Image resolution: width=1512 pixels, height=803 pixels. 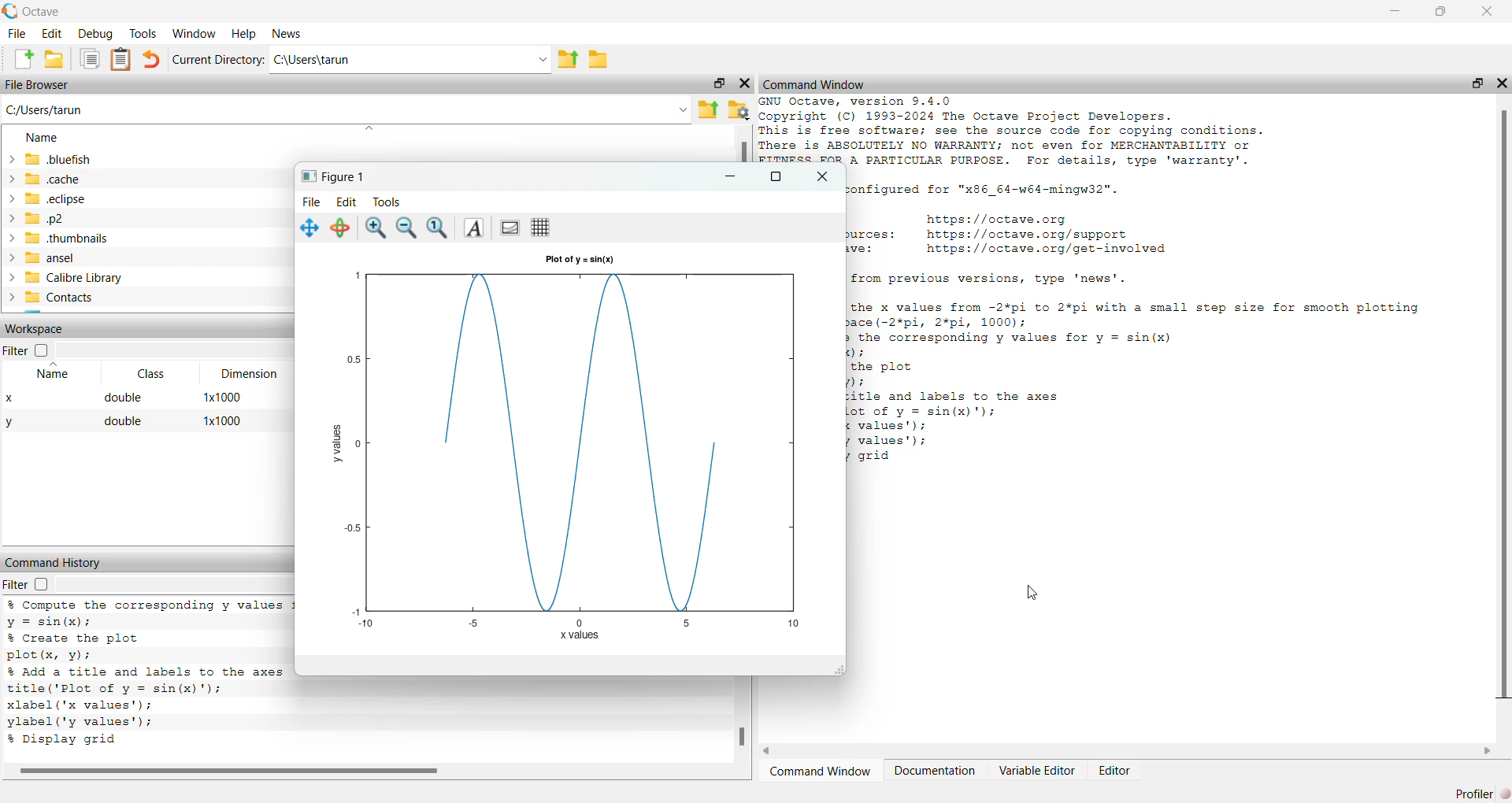 I want to click on Debug, so click(x=96, y=35).